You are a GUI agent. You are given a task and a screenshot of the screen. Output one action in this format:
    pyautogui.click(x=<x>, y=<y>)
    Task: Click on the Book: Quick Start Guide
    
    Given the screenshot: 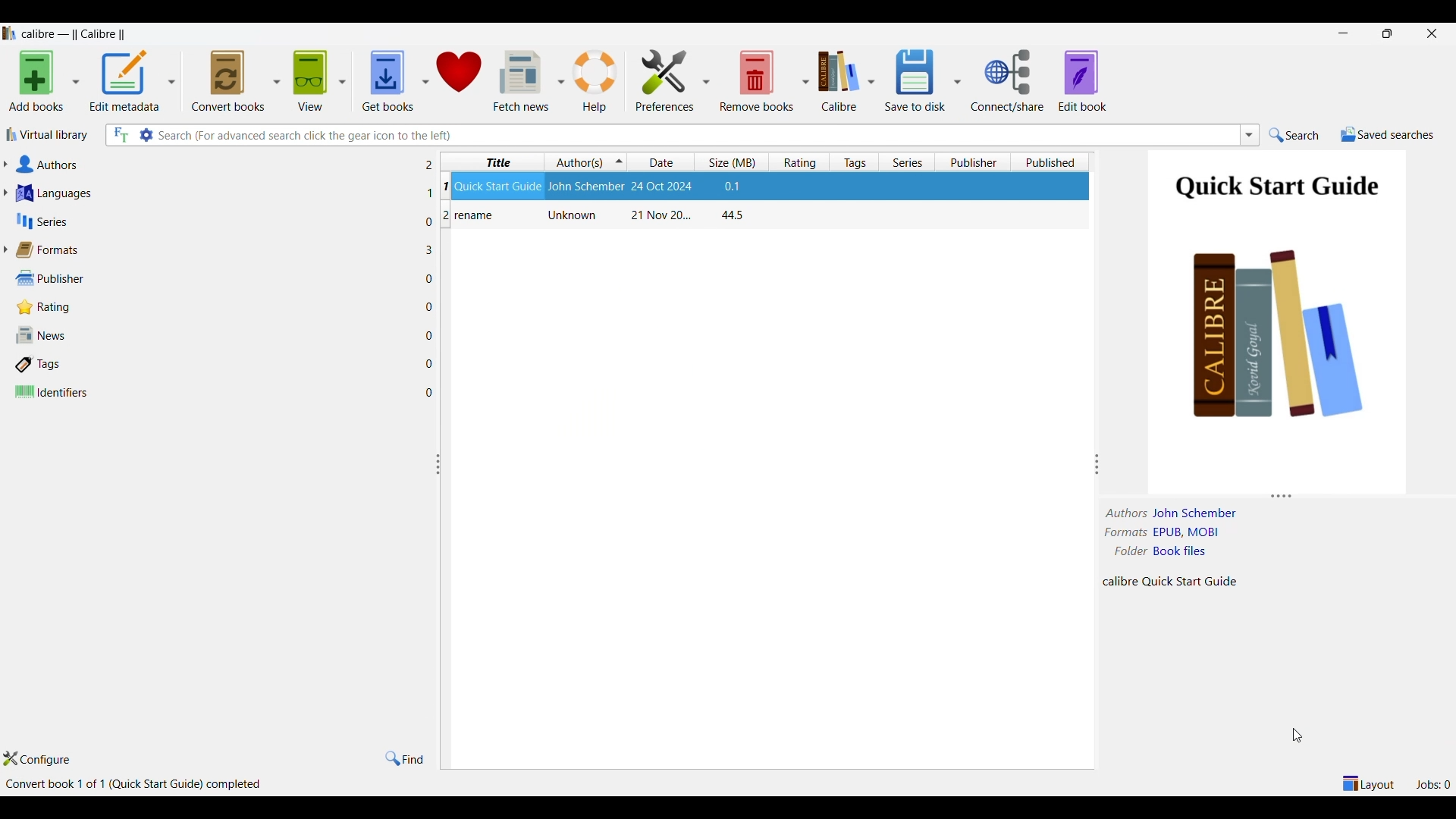 What is the action you would take?
    pyautogui.click(x=597, y=185)
    